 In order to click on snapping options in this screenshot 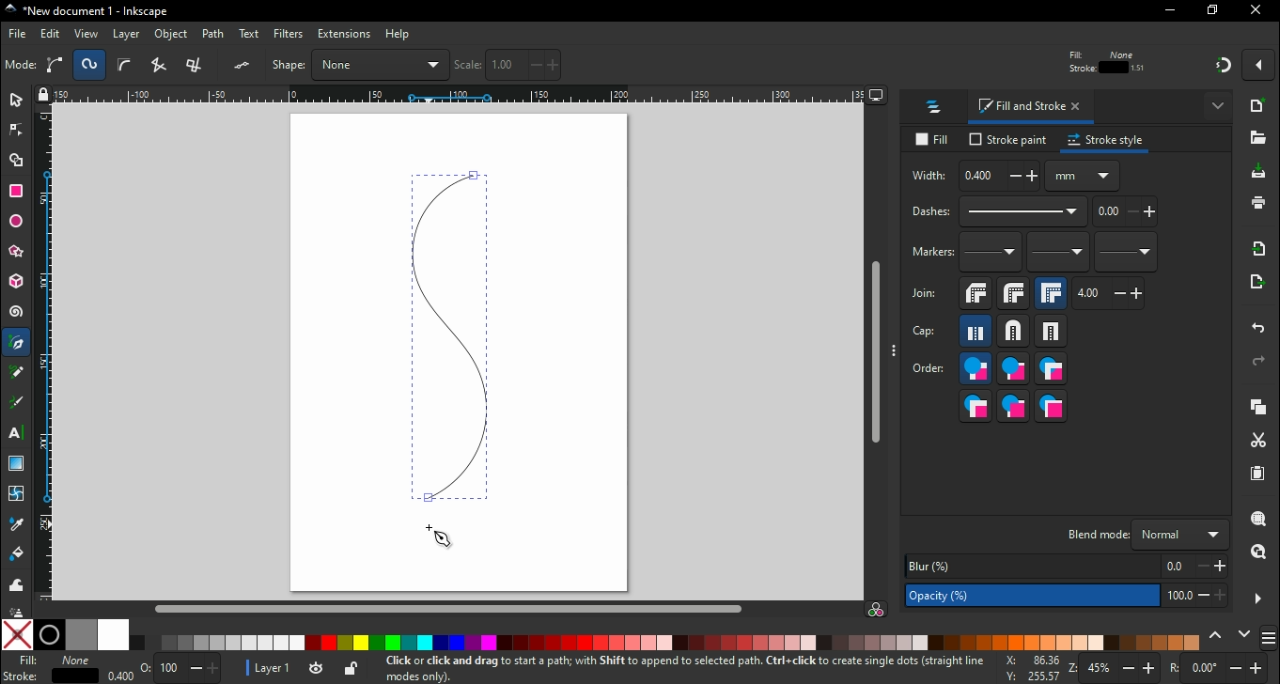, I will do `click(1259, 70)`.